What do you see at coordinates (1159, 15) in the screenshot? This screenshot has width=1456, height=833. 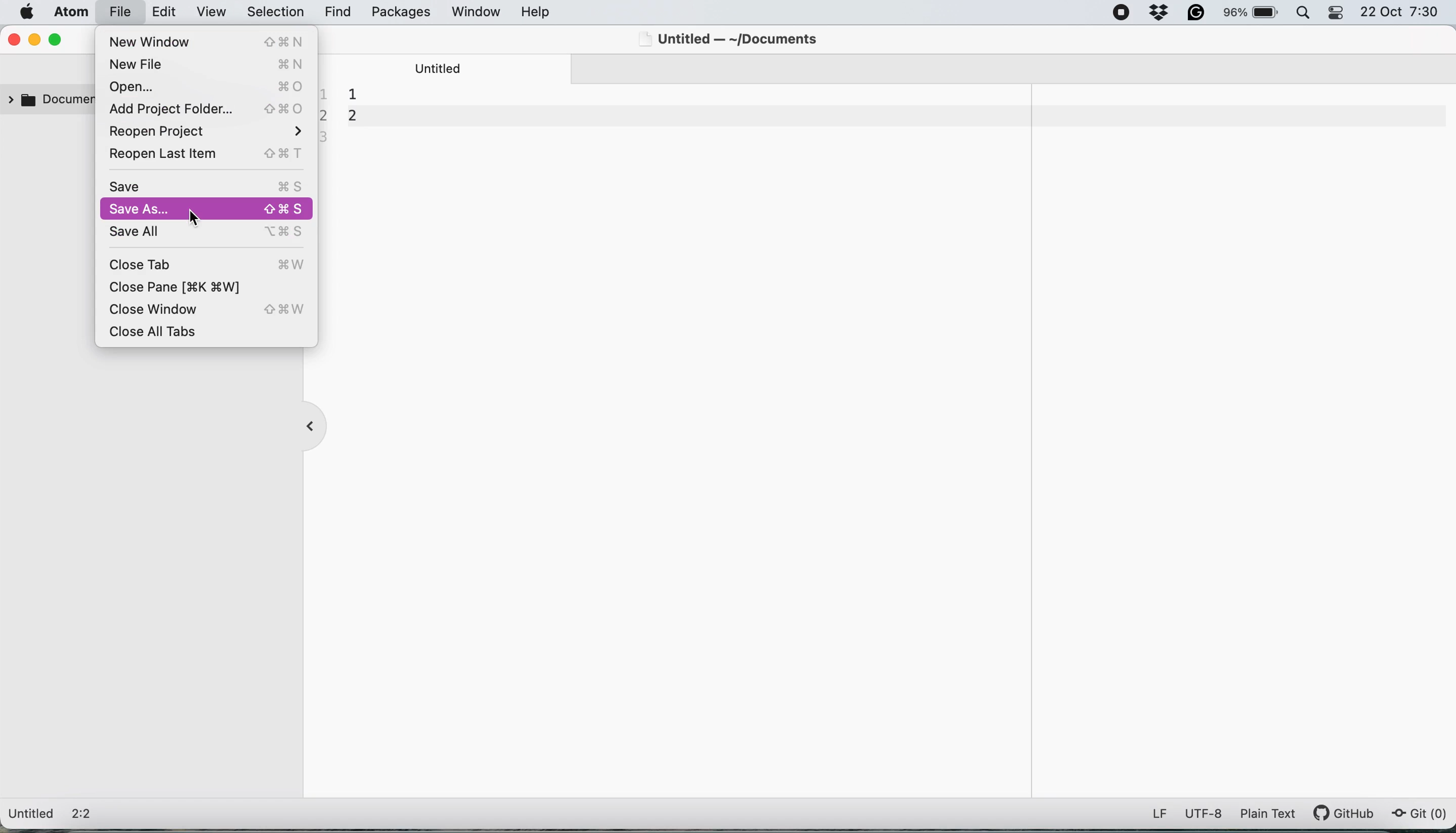 I see `dropbox` at bounding box center [1159, 15].